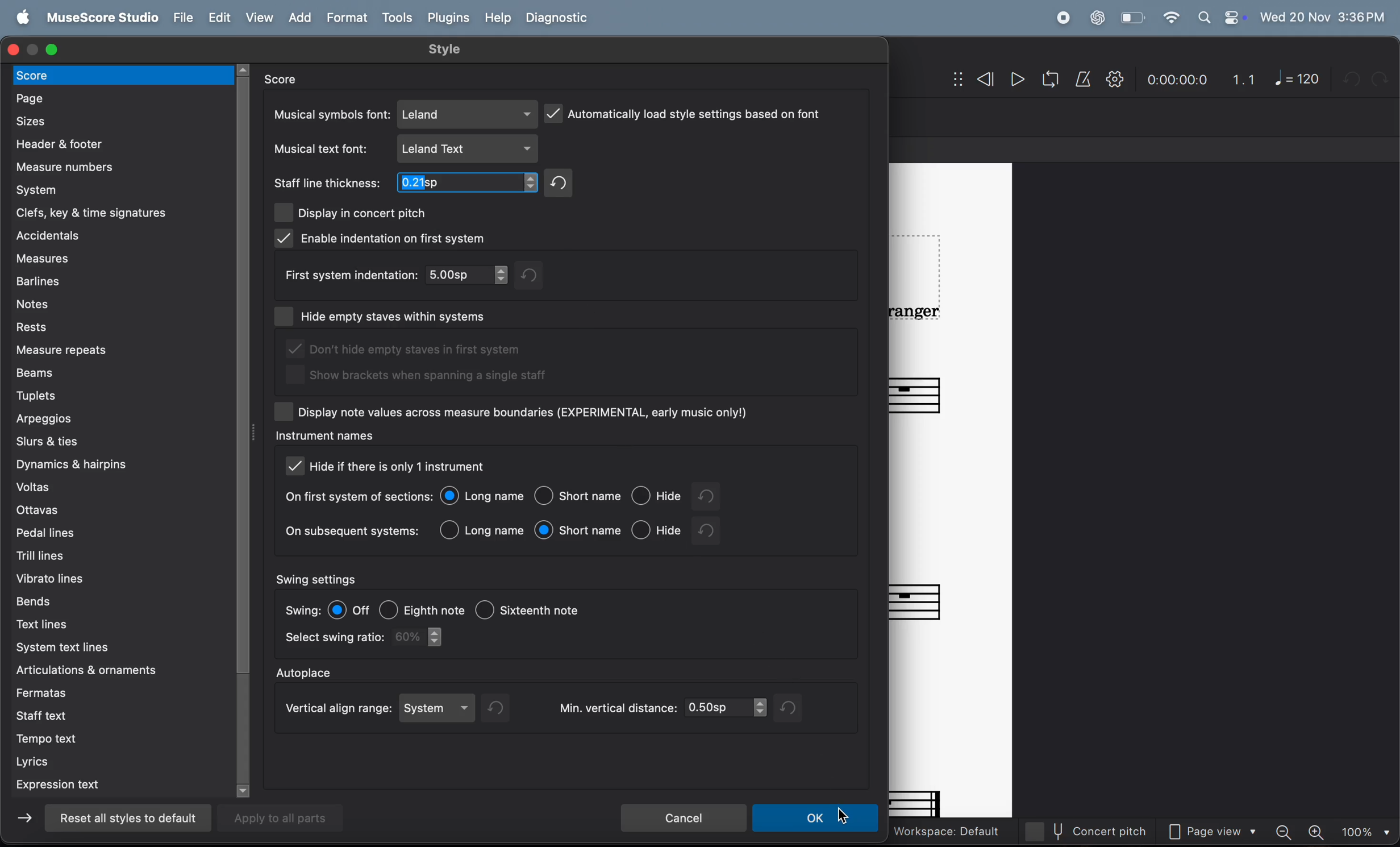 Image resolution: width=1400 pixels, height=847 pixels. I want to click on settings, so click(1115, 80).